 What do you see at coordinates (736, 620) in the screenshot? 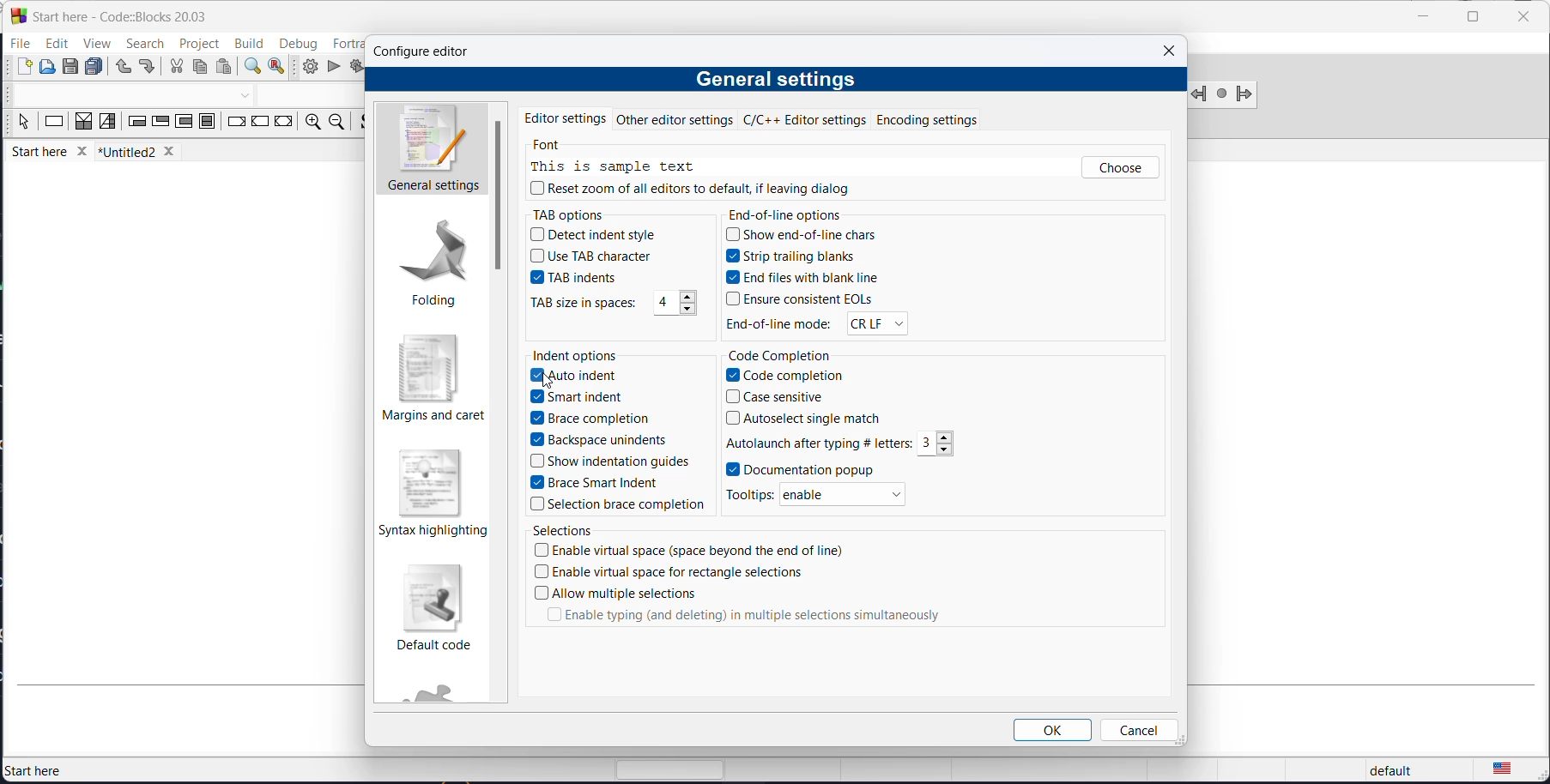
I see `enable typing checkbox` at bounding box center [736, 620].